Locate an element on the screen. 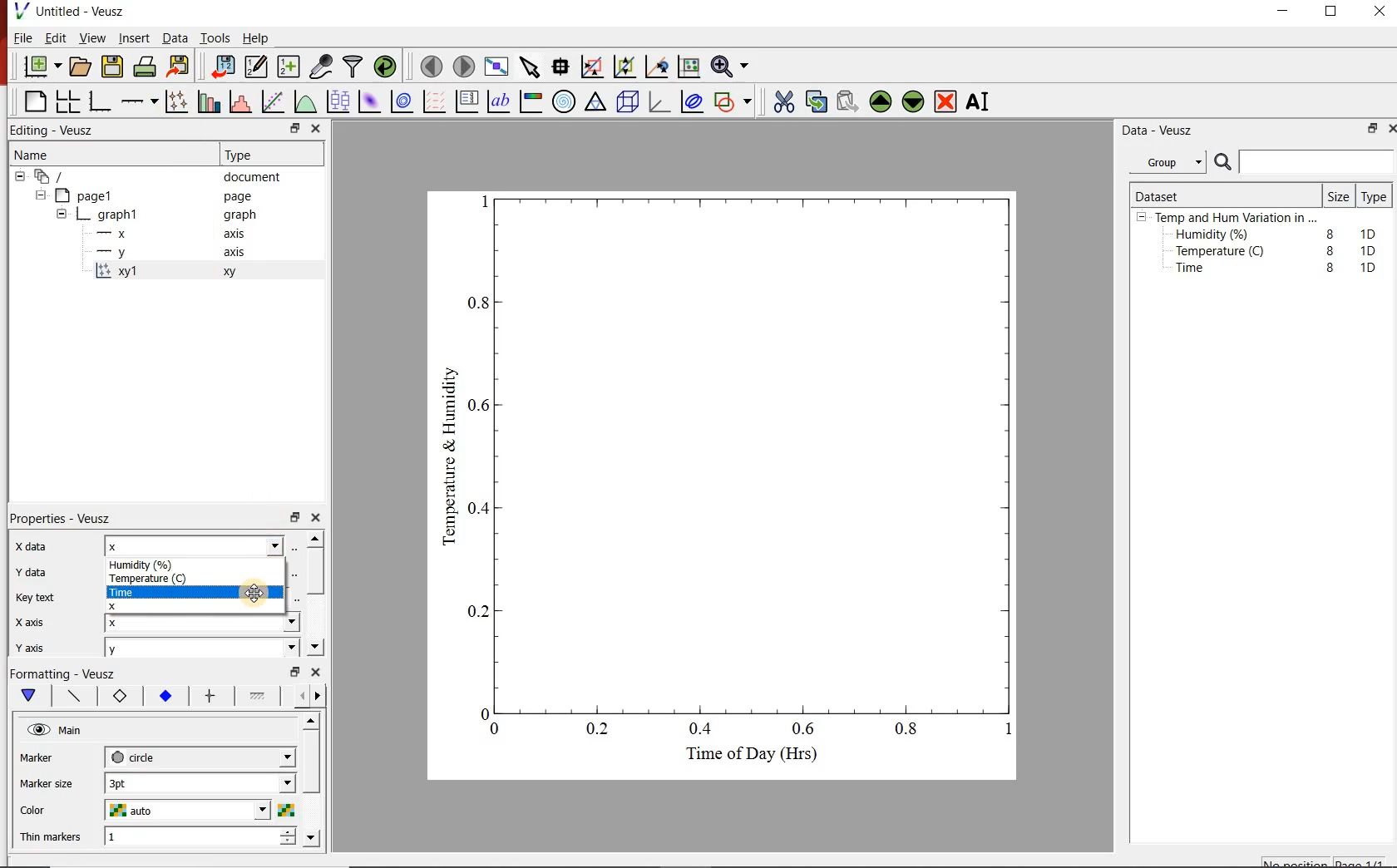 The height and width of the screenshot is (868, 1397). Type is located at coordinates (249, 155).